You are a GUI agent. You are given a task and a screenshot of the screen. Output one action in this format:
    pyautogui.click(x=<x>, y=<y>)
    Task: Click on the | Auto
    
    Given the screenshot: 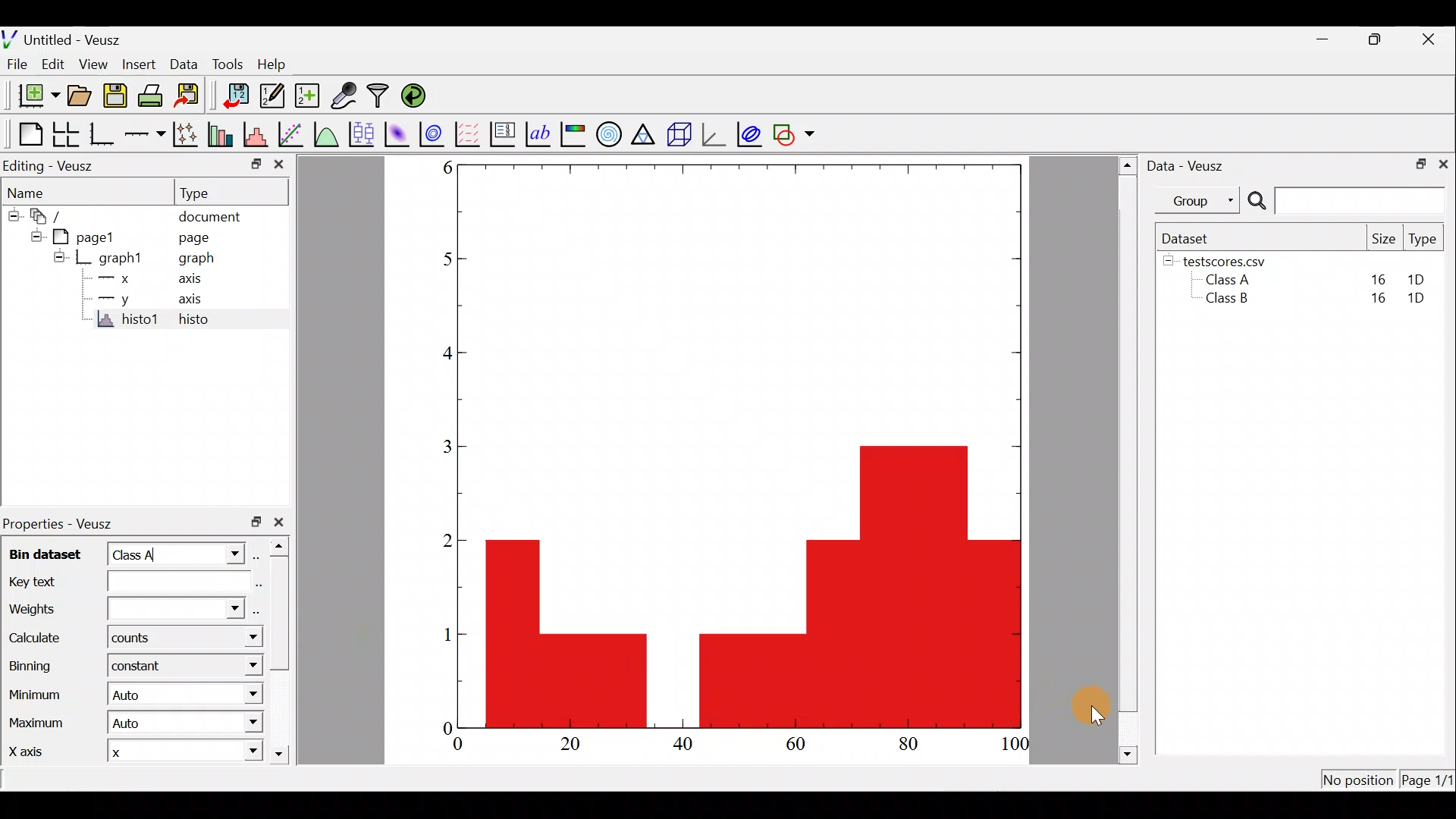 What is the action you would take?
    pyautogui.click(x=136, y=697)
    